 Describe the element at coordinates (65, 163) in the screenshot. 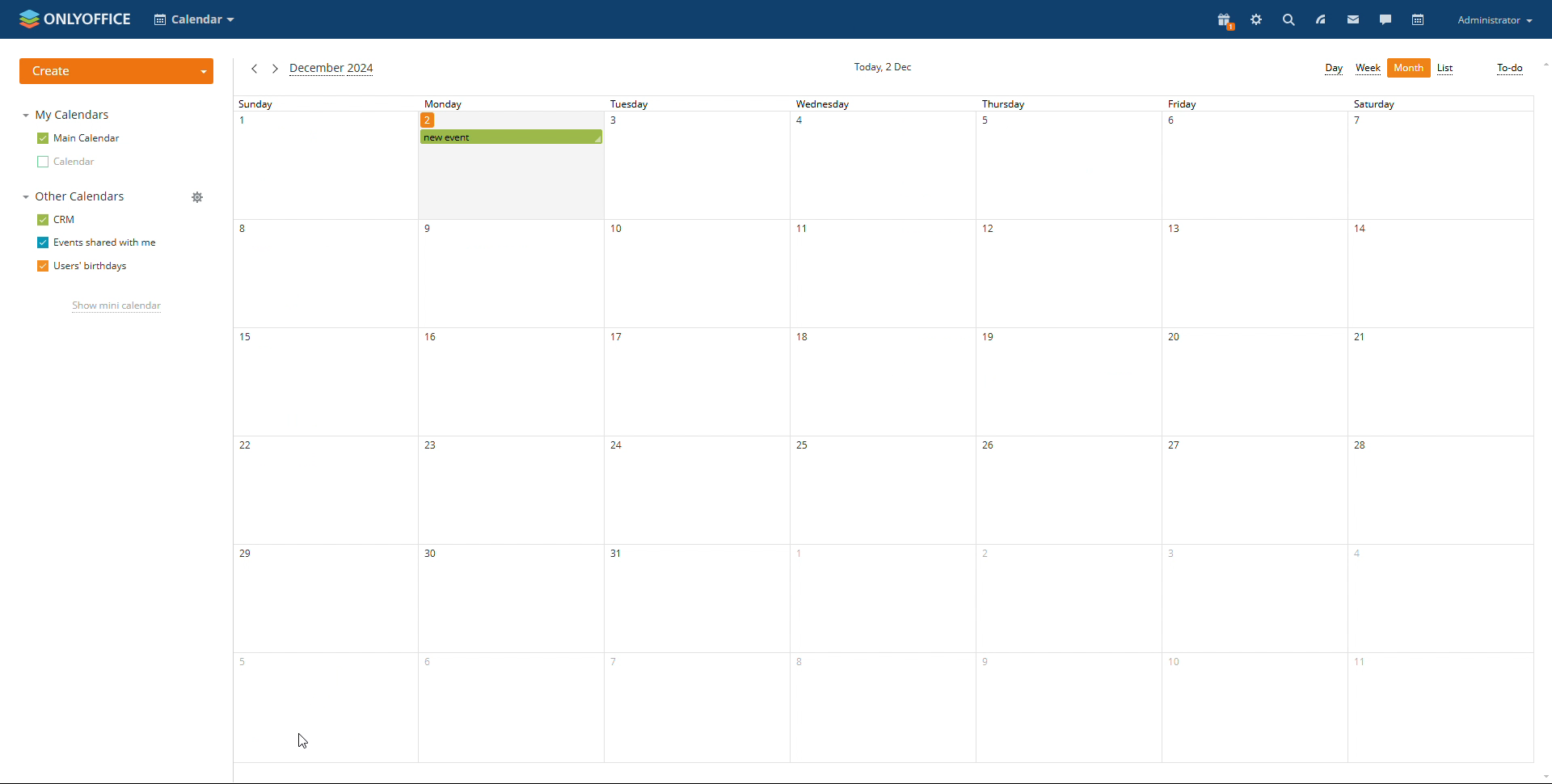

I see `other calendar` at that location.